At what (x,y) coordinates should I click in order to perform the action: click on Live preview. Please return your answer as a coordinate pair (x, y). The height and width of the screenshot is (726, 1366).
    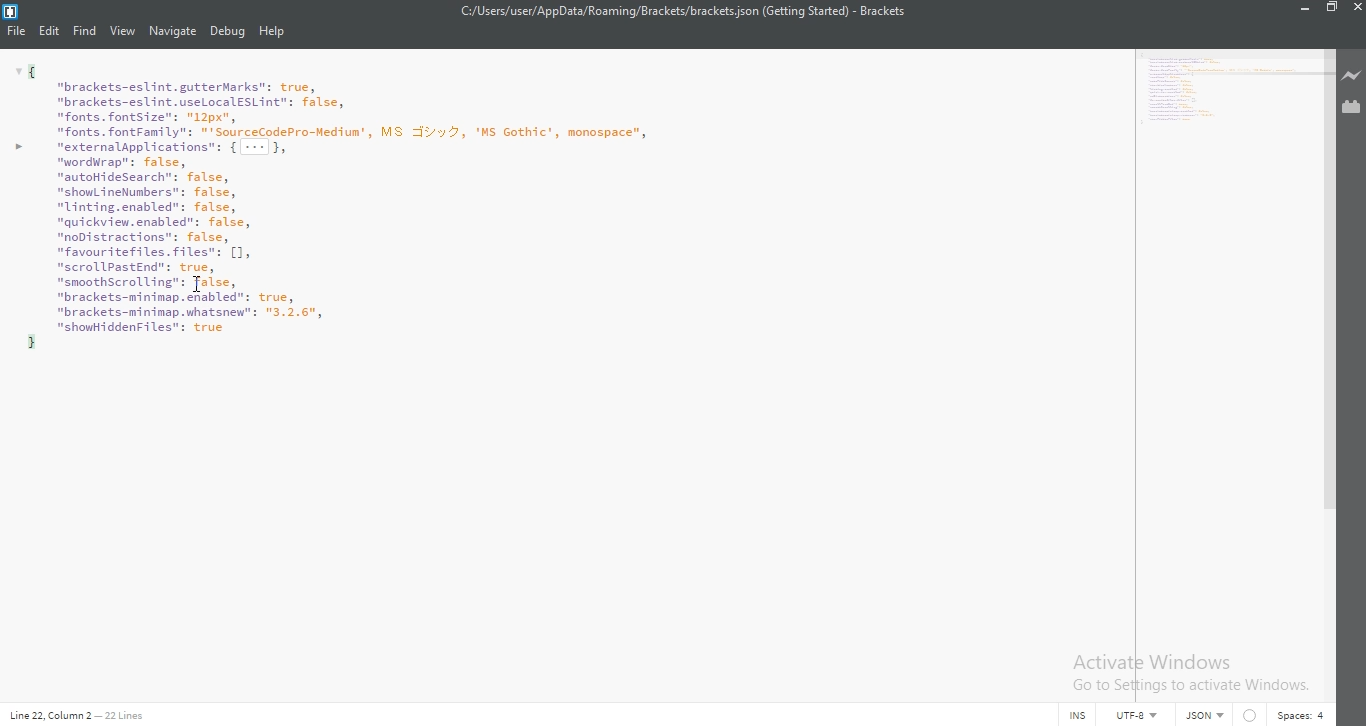
    Looking at the image, I should click on (1353, 77).